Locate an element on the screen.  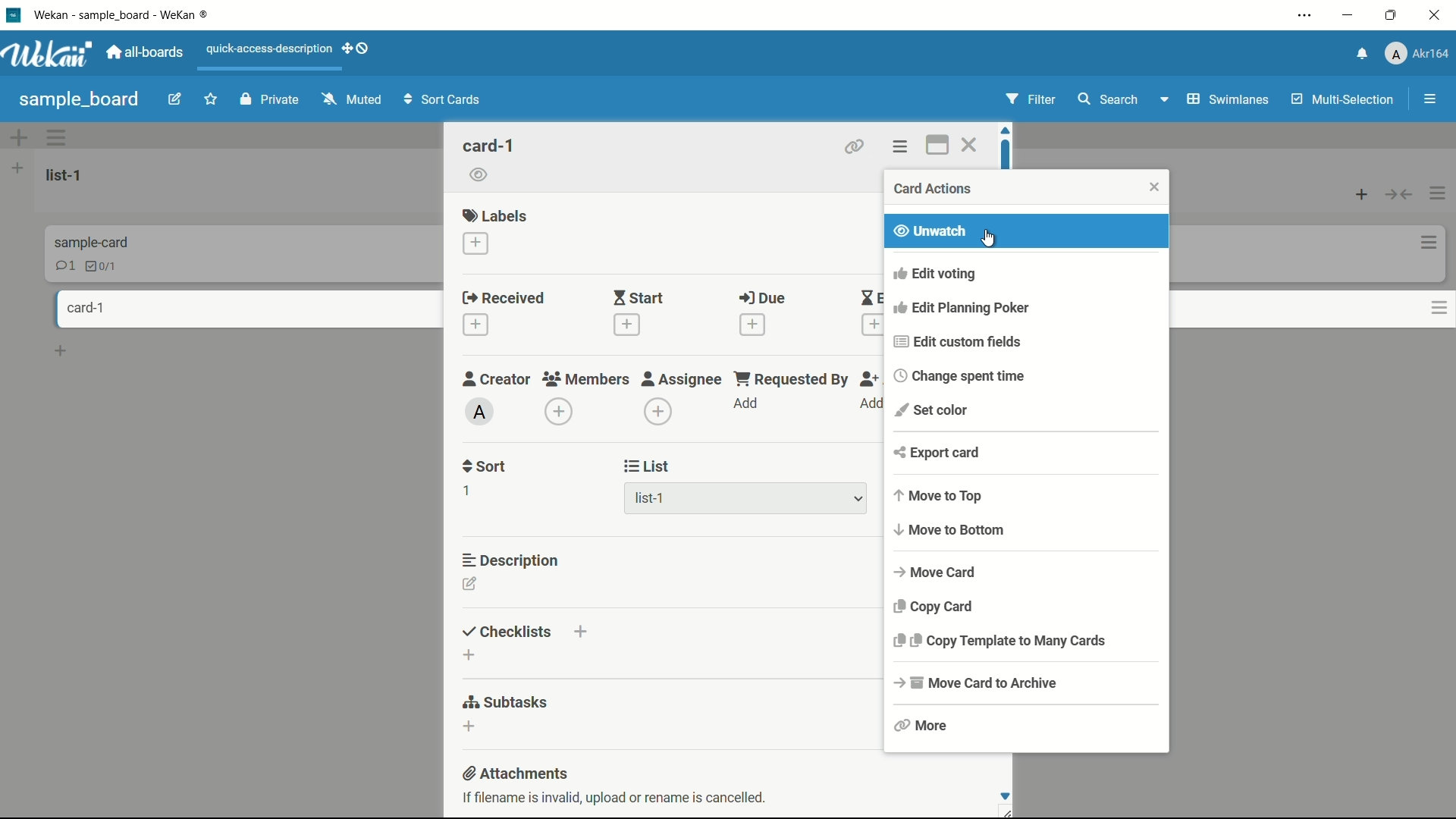
wekan - Sample_board - weaken is located at coordinates (148, 17).